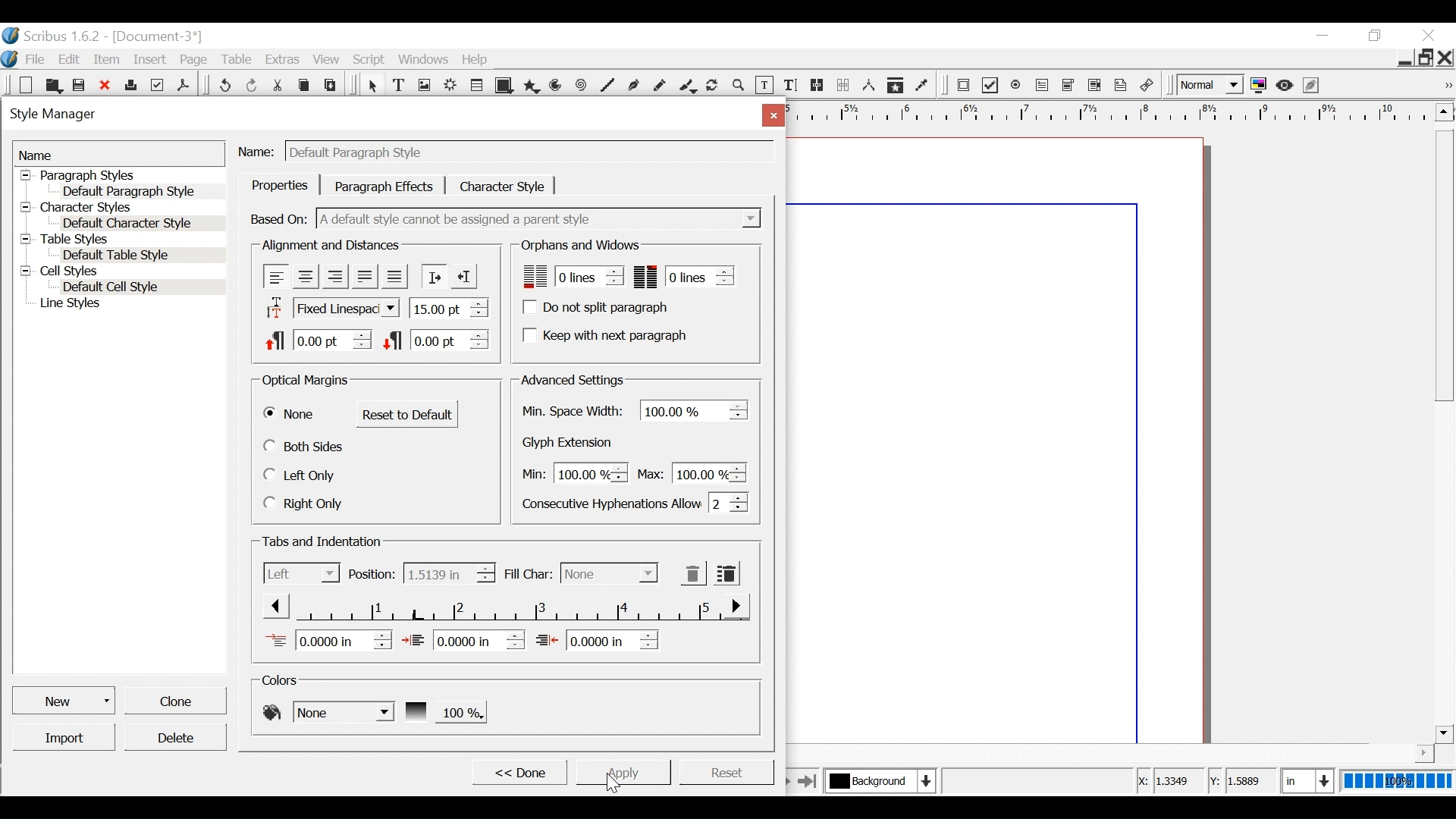 The width and height of the screenshot is (1456, 819). I want to click on Background shade, so click(444, 711).